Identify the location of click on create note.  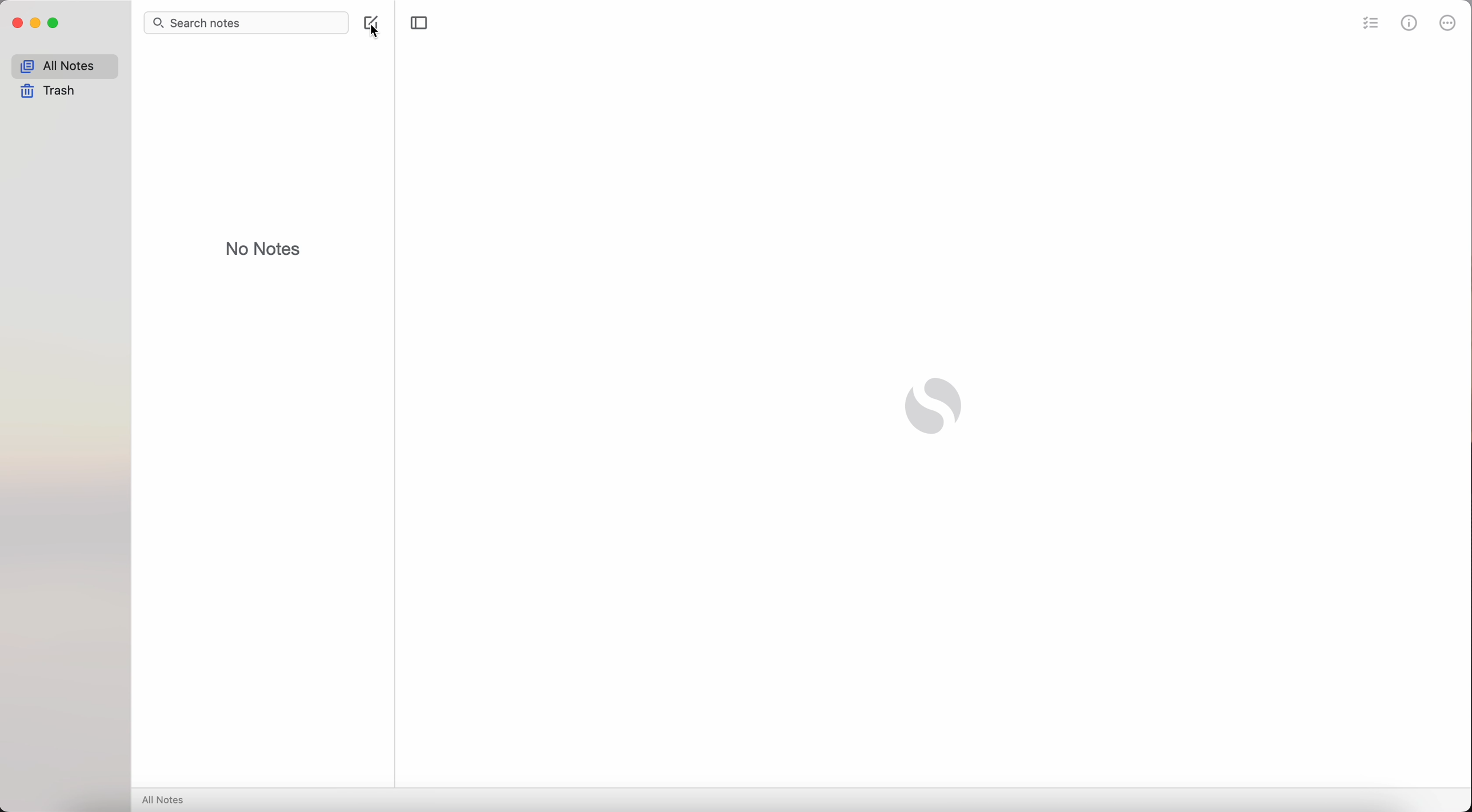
(374, 26).